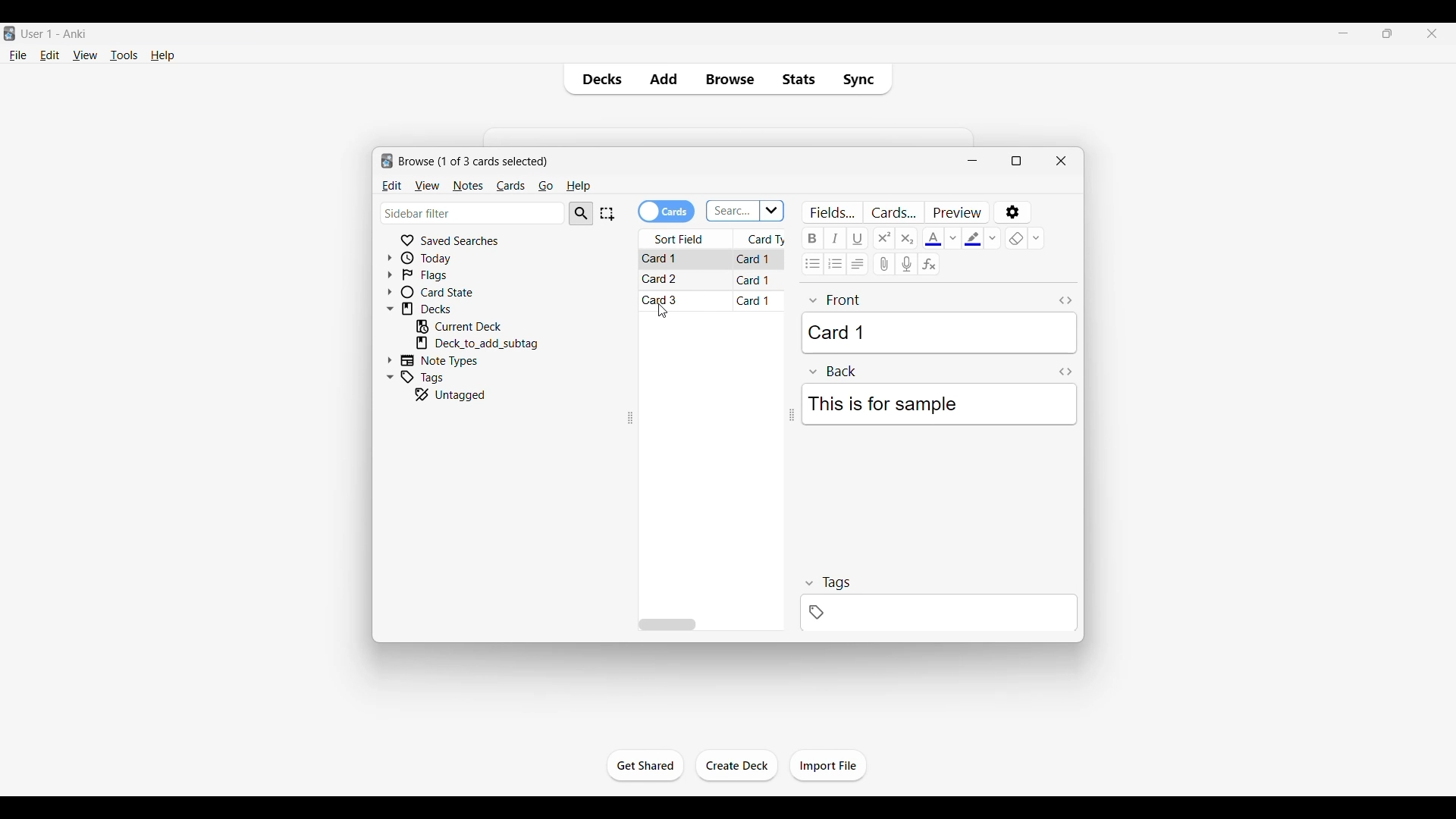 The width and height of the screenshot is (1456, 819). I want to click on This is for sample, so click(938, 404).